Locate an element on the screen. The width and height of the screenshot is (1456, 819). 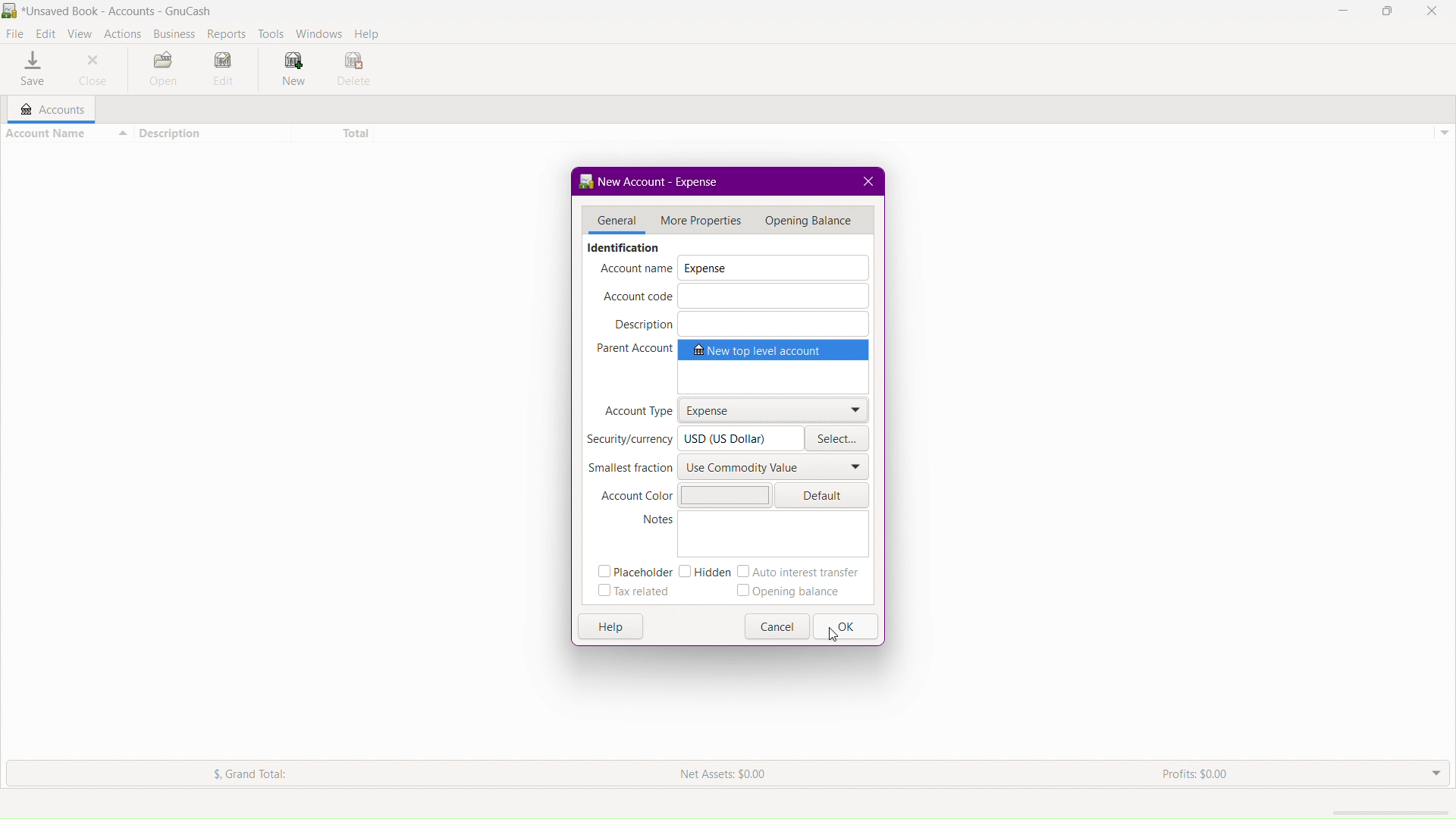
More Properties is located at coordinates (699, 219).